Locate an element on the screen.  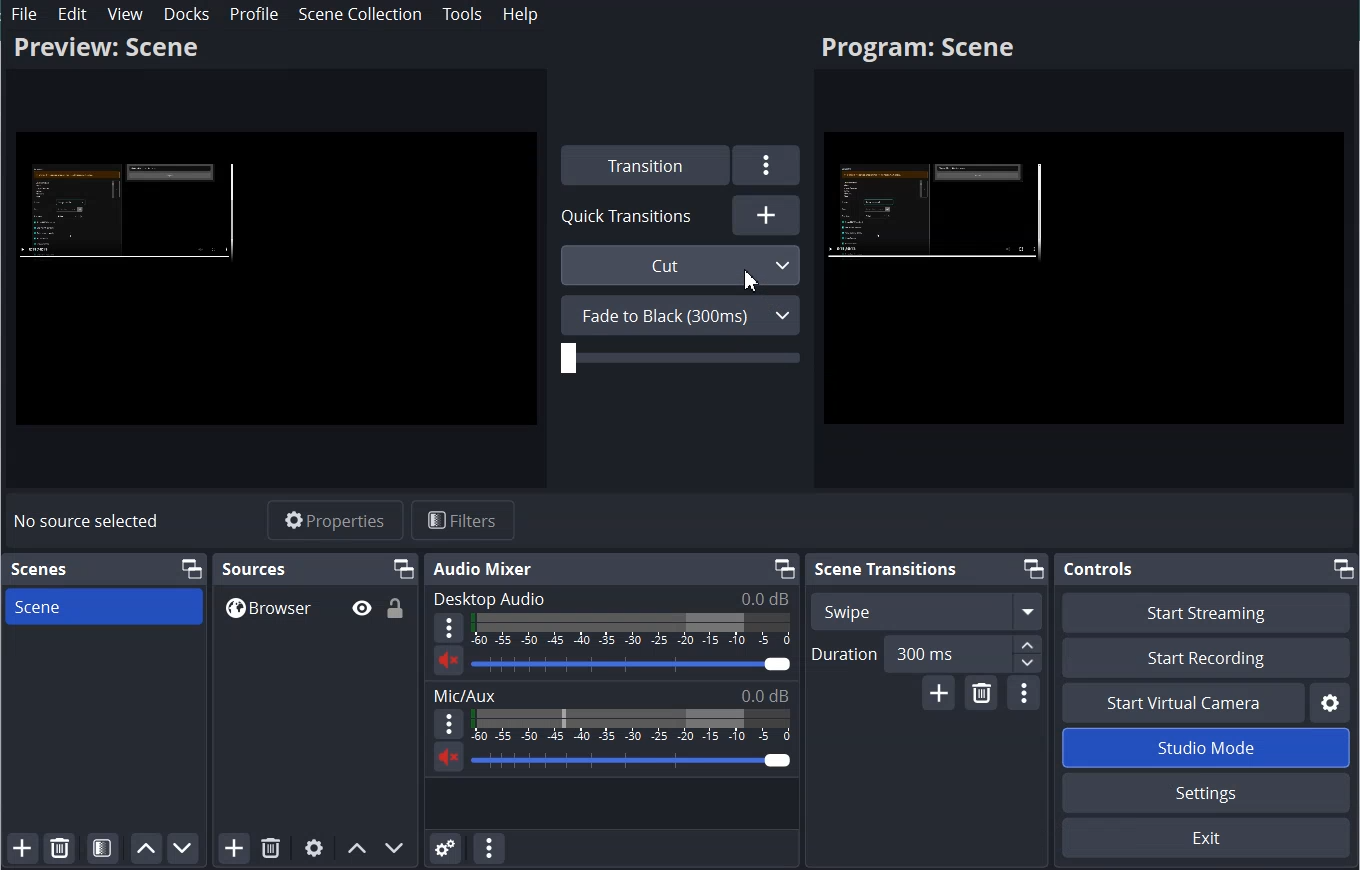
Program: Scene is located at coordinates (917, 50).